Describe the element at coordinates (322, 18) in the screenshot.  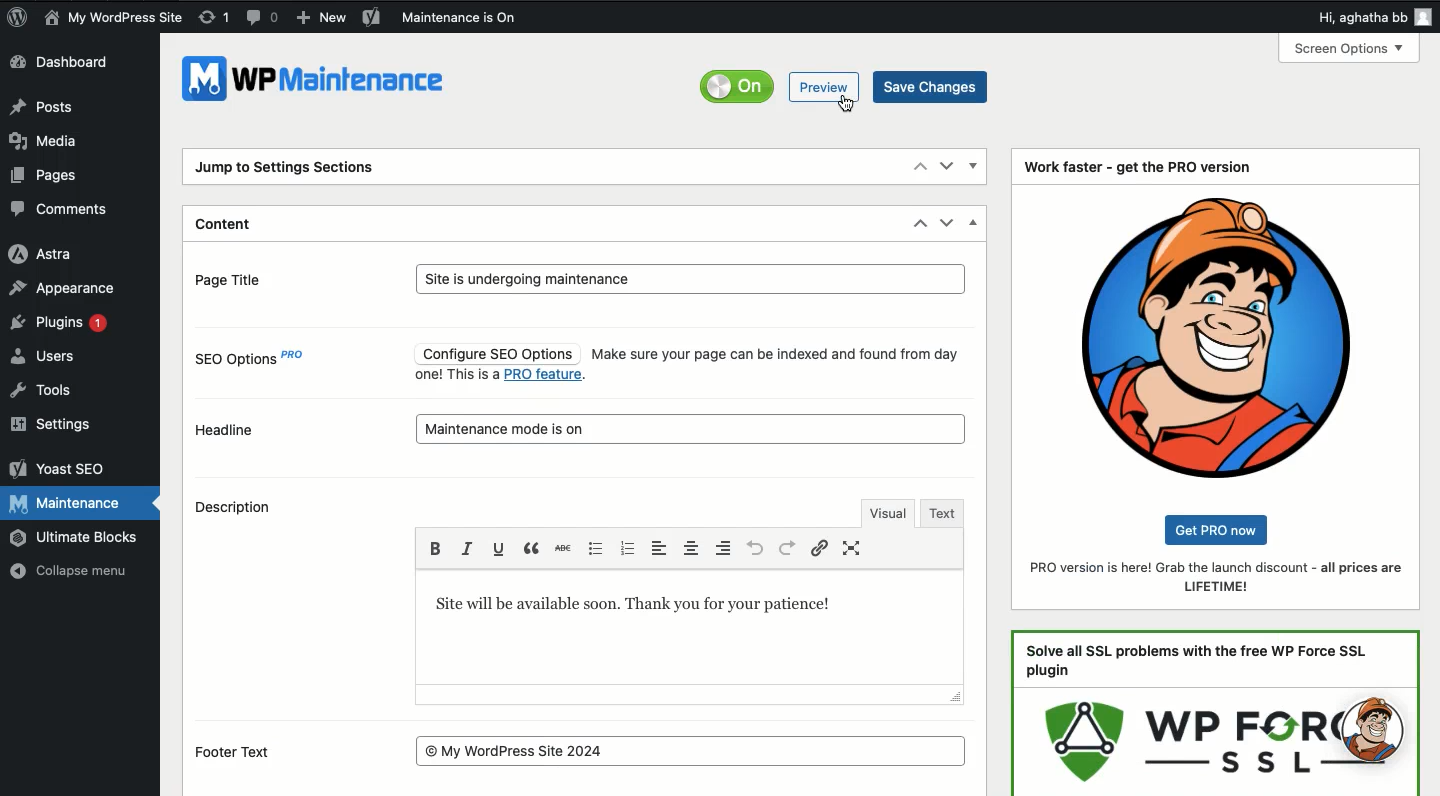
I see `New` at that location.